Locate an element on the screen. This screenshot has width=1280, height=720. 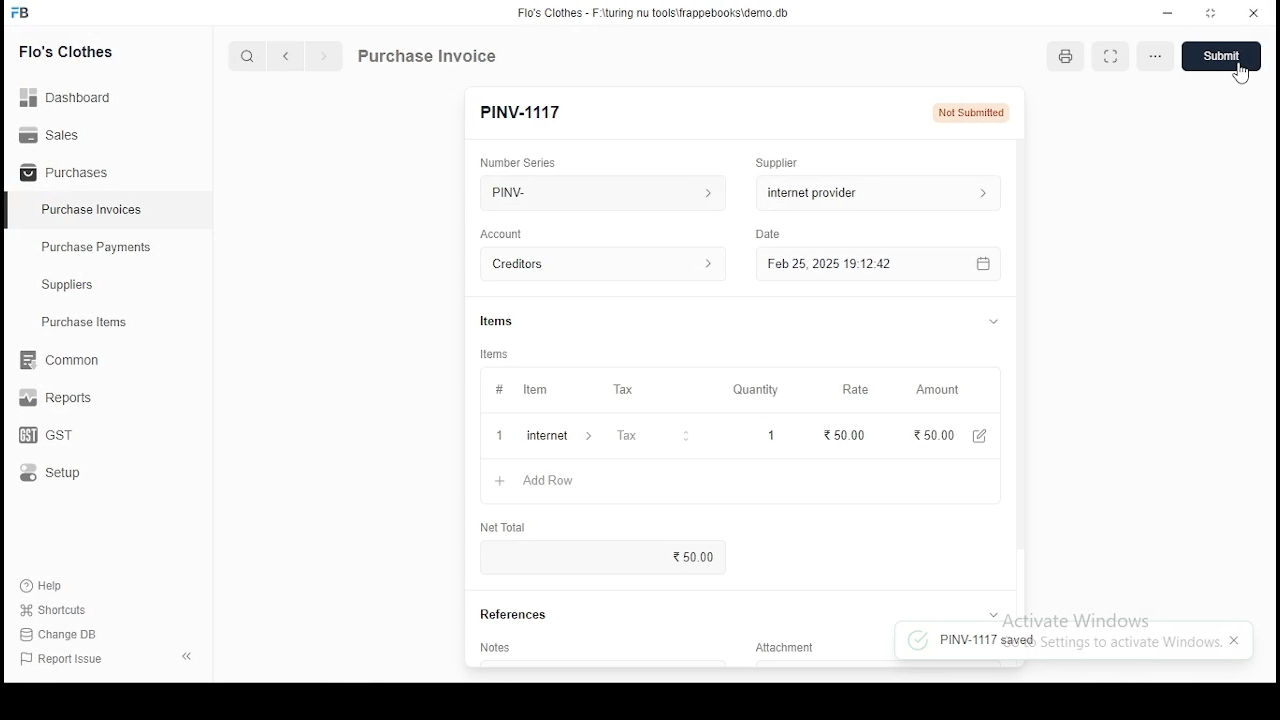
dashboard is located at coordinates (75, 91).